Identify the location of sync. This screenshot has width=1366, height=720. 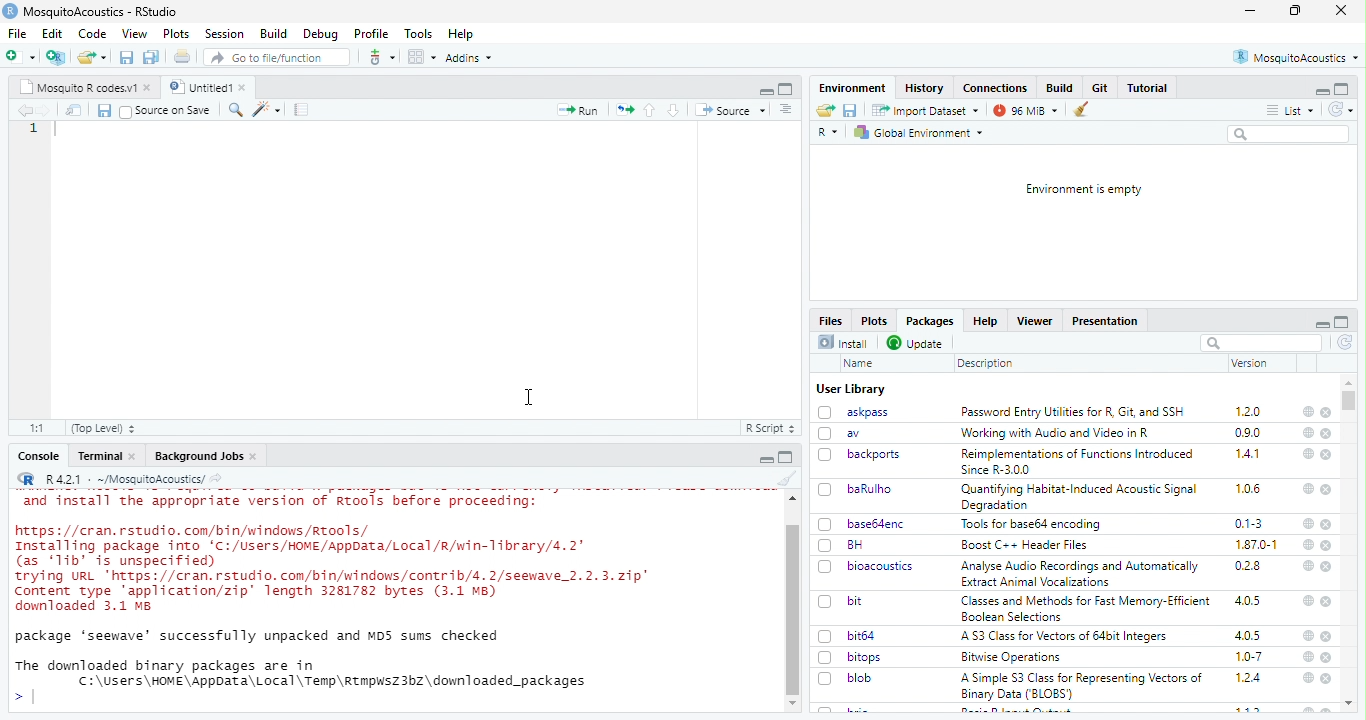
(1346, 343).